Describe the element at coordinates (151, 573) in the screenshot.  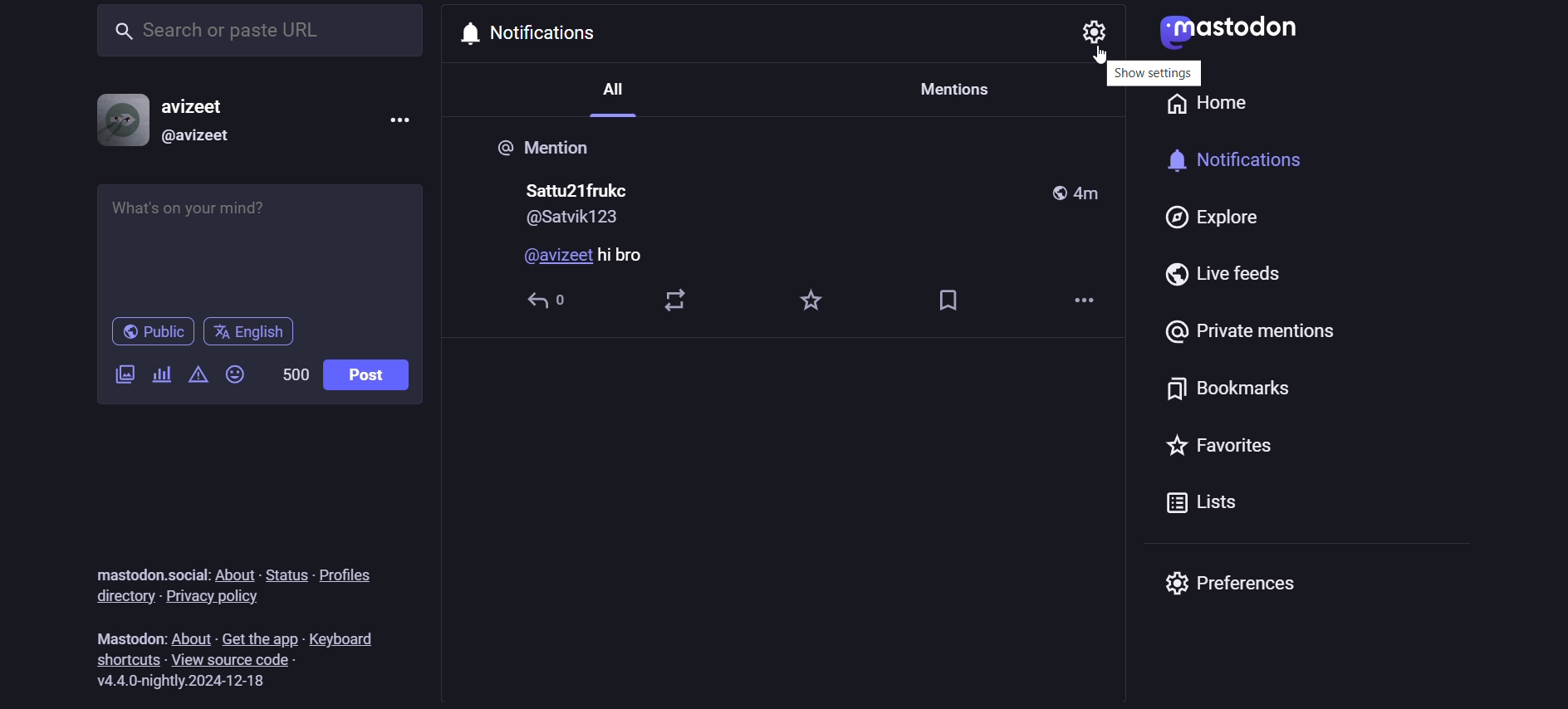
I see `mastodon.social` at that location.